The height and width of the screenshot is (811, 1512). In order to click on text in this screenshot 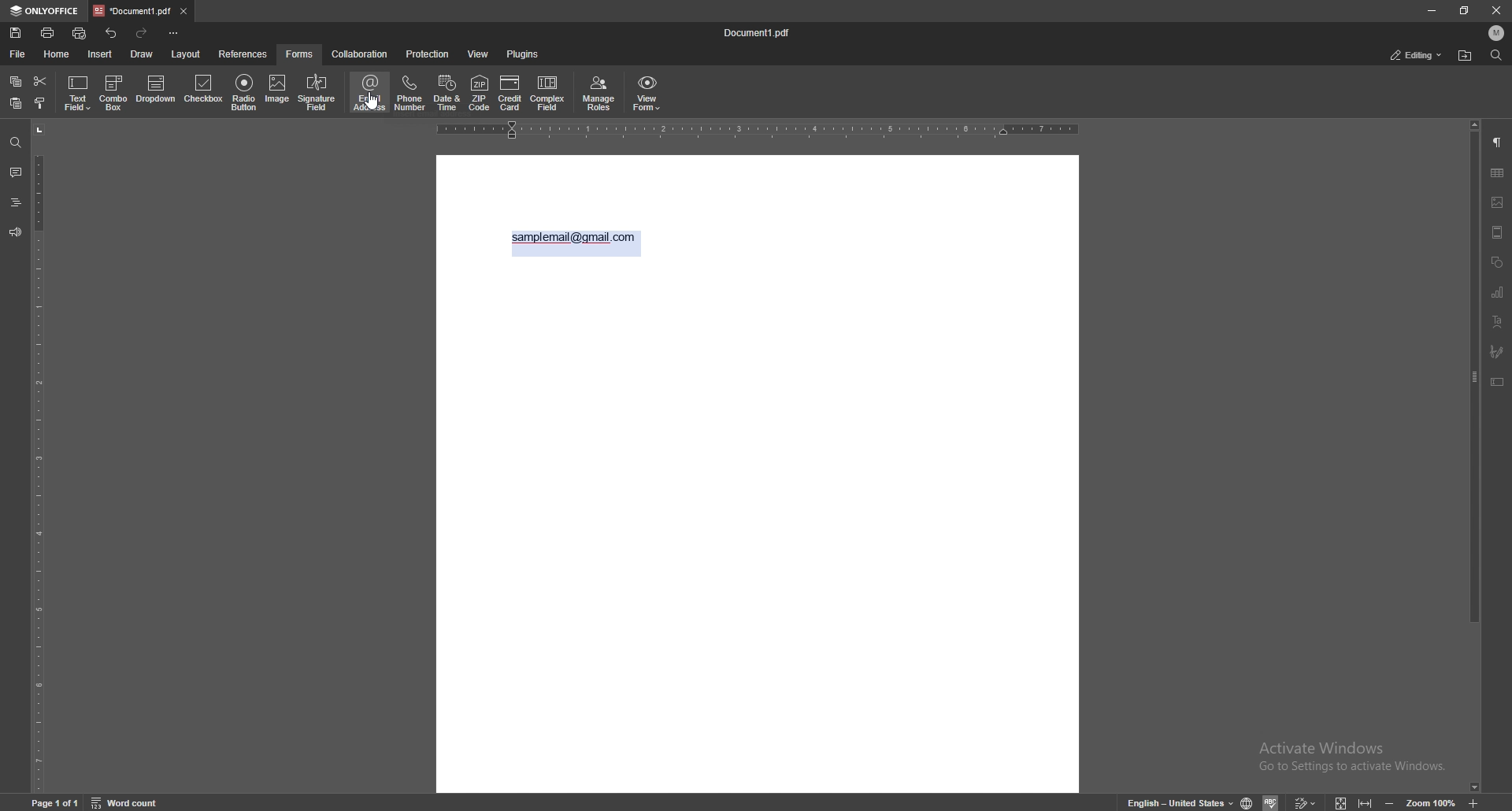, I will do `click(573, 238)`.